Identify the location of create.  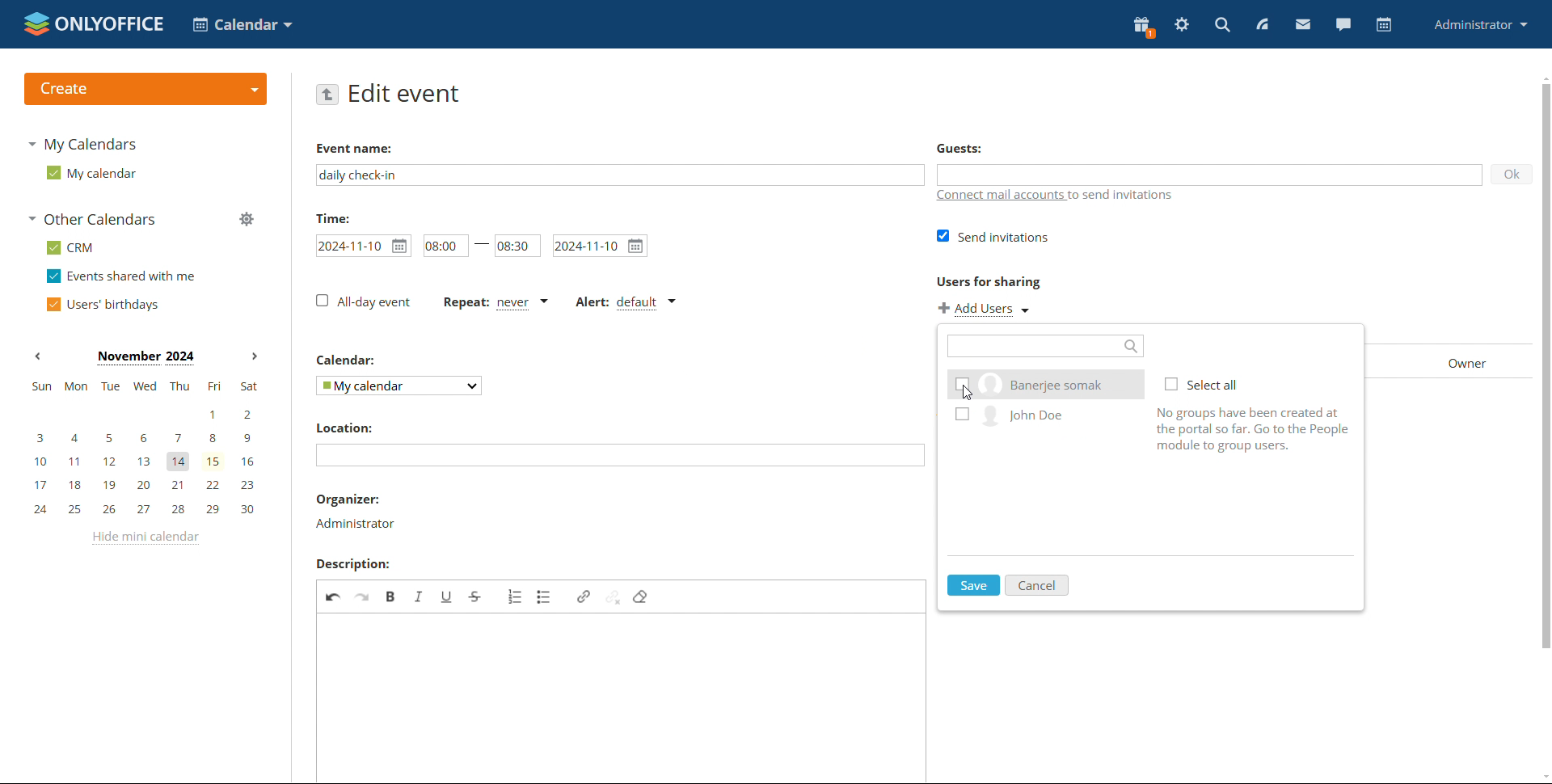
(145, 89).